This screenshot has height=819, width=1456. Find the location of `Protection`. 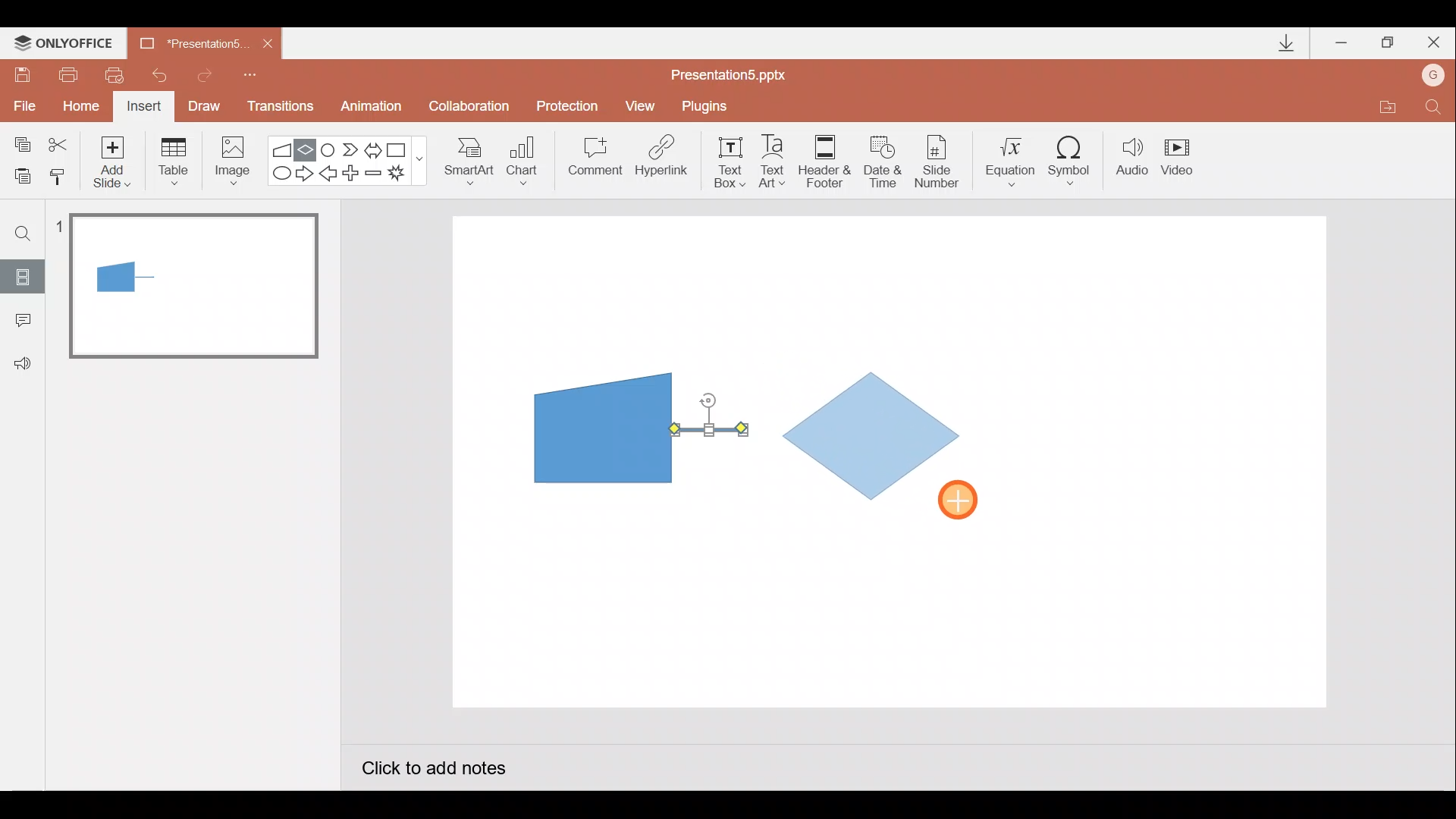

Protection is located at coordinates (572, 105).